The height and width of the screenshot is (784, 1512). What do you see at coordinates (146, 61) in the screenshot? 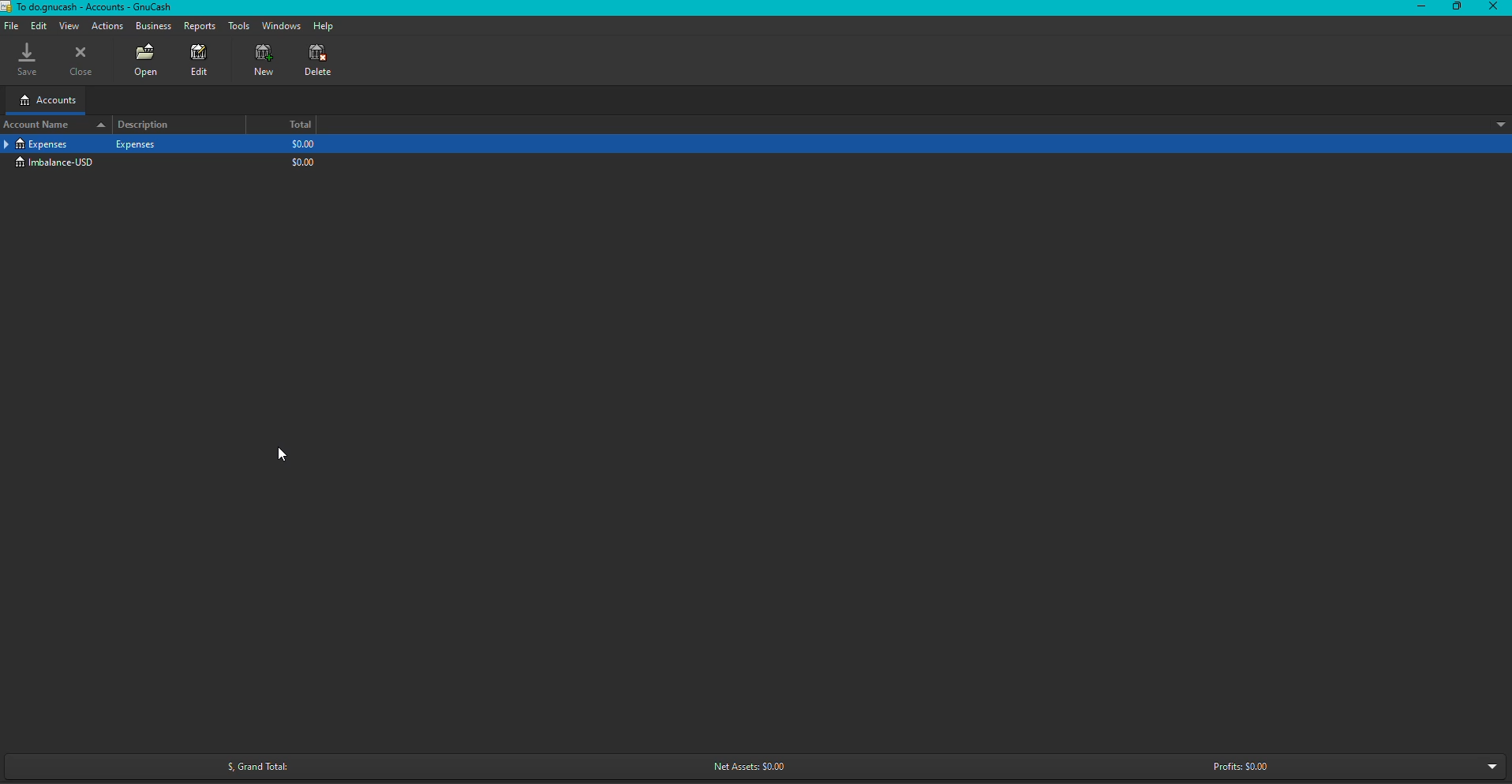
I see `Open` at bounding box center [146, 61].